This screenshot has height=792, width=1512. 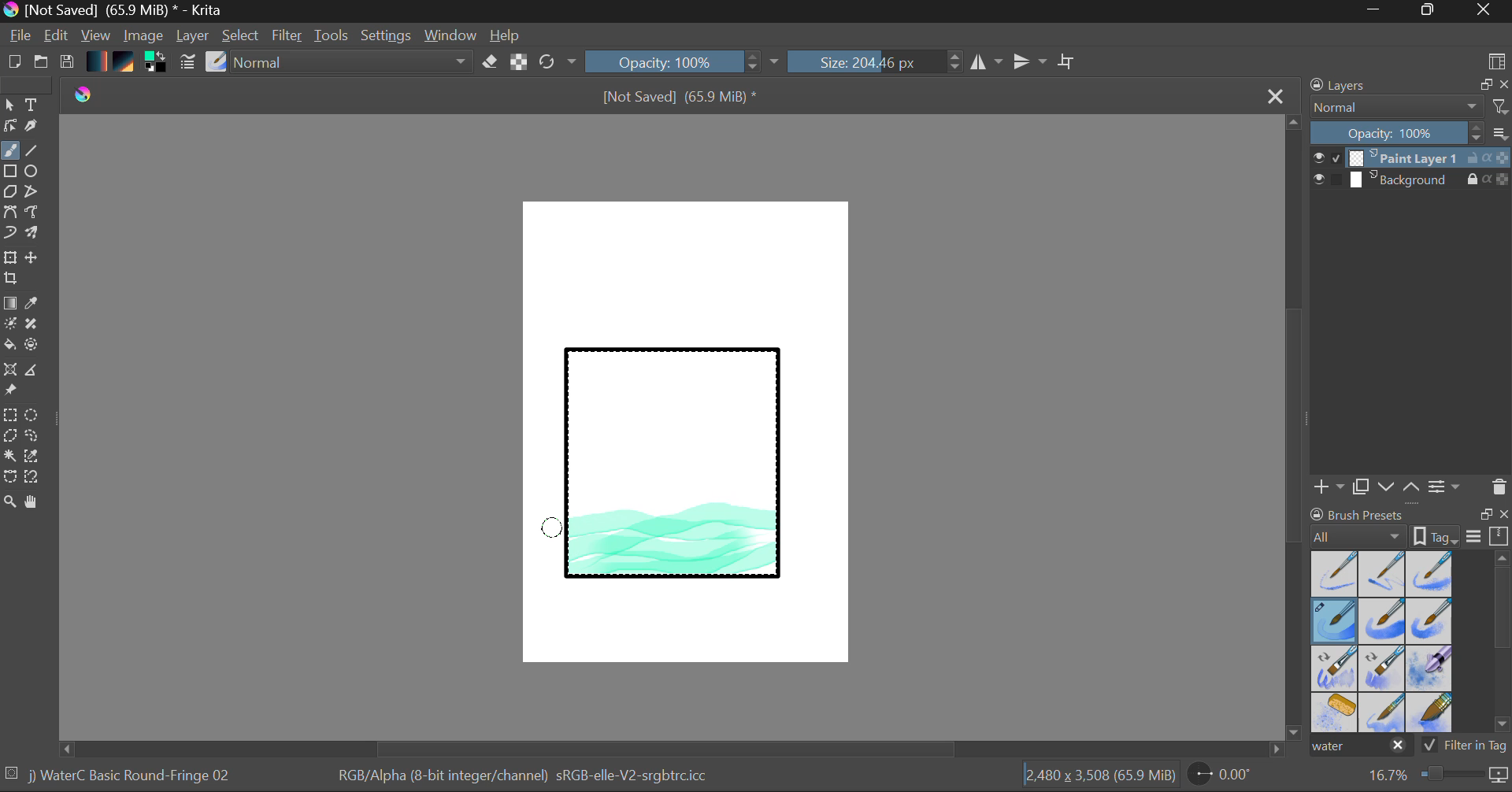 I want to click on Settings, so click(x=387, y=35).